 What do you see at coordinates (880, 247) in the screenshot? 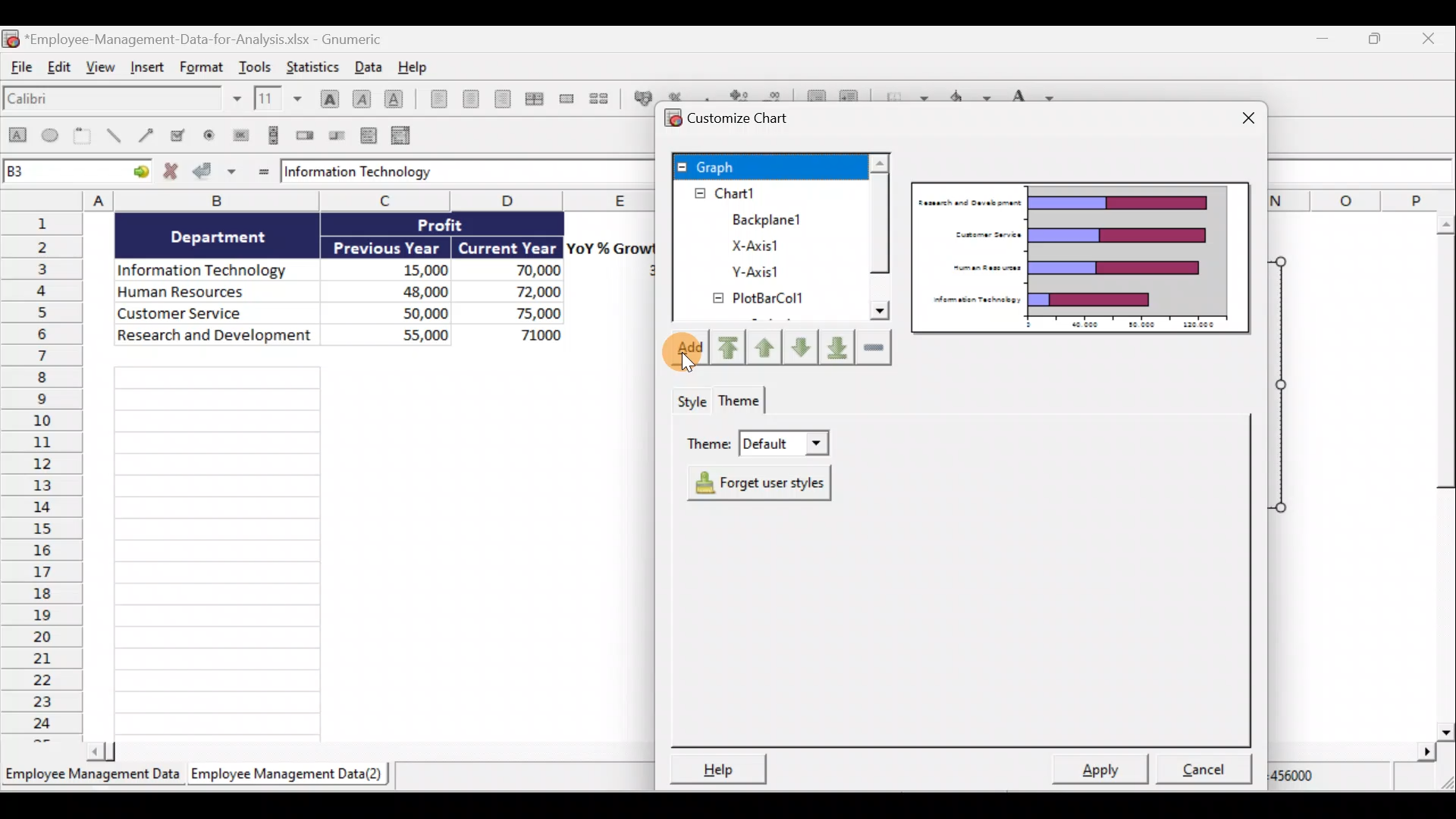
I see `Scroll bar` at bounding box center [880, 247].